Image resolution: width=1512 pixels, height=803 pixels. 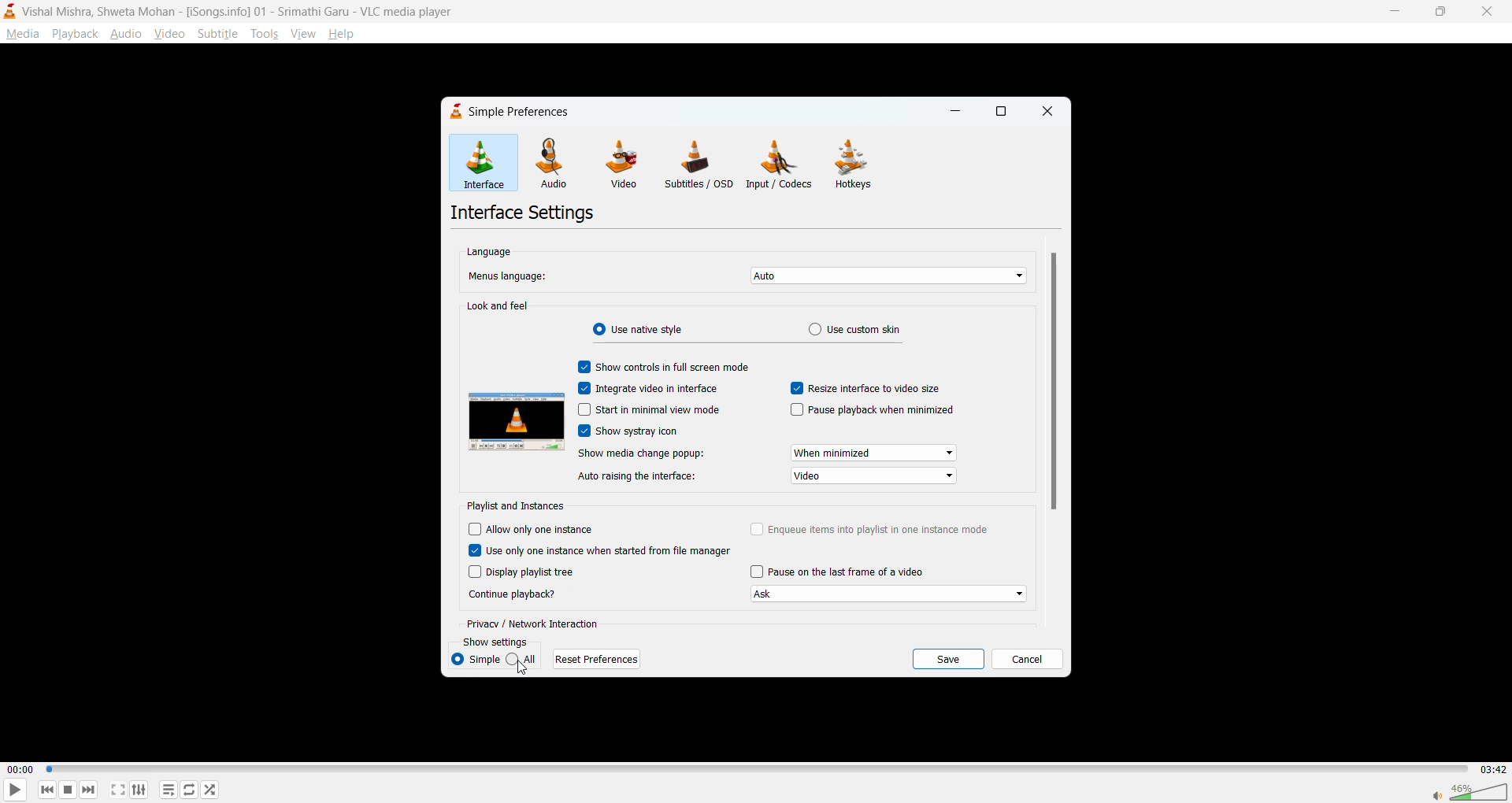 I want to click on cancel, so click(x=1027, y=661).